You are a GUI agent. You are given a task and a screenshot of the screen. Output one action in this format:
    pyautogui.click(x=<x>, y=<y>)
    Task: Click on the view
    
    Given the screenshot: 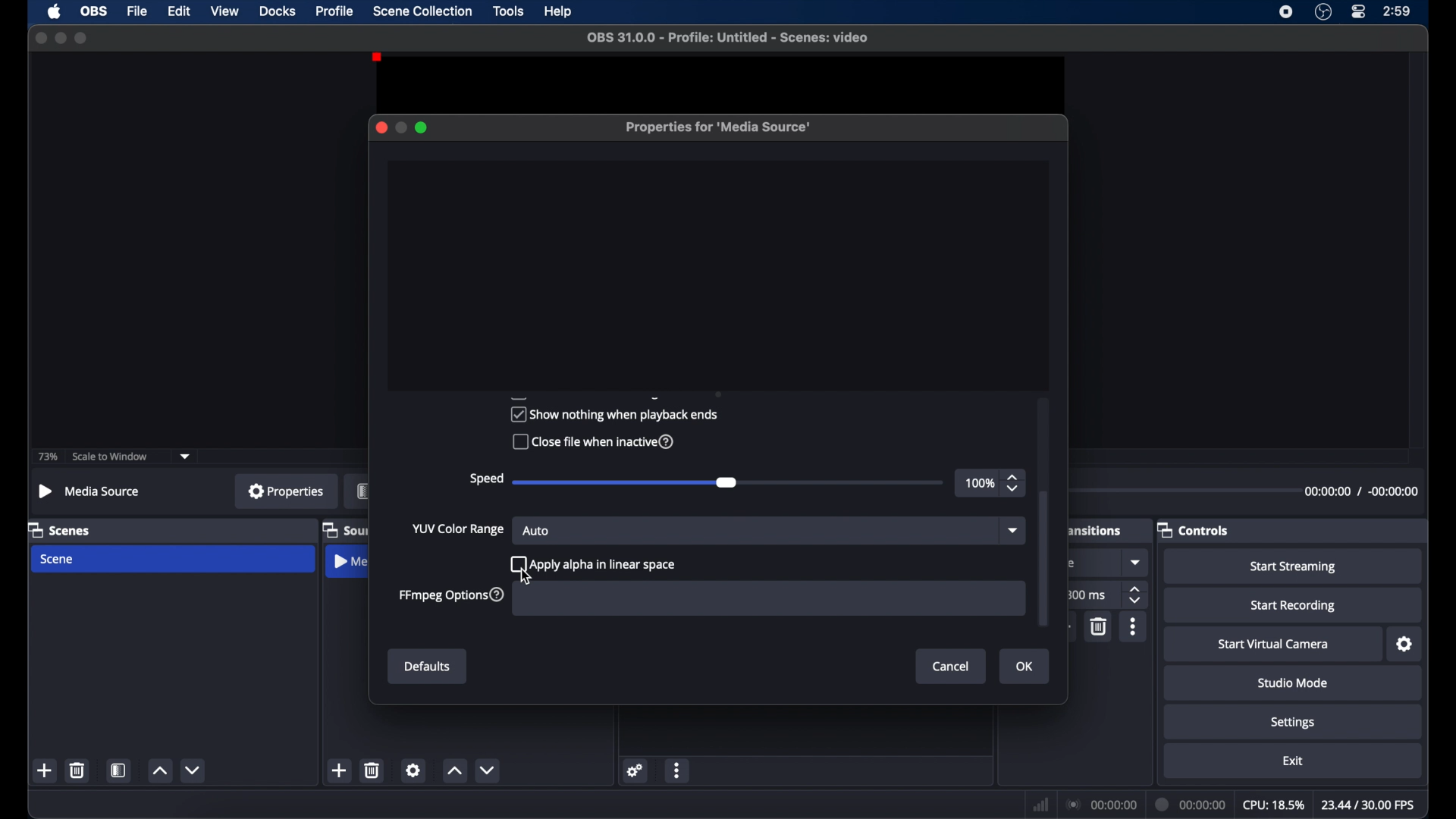 What is the action you would take?
    pyautogui.click(x=224, y=10)
    